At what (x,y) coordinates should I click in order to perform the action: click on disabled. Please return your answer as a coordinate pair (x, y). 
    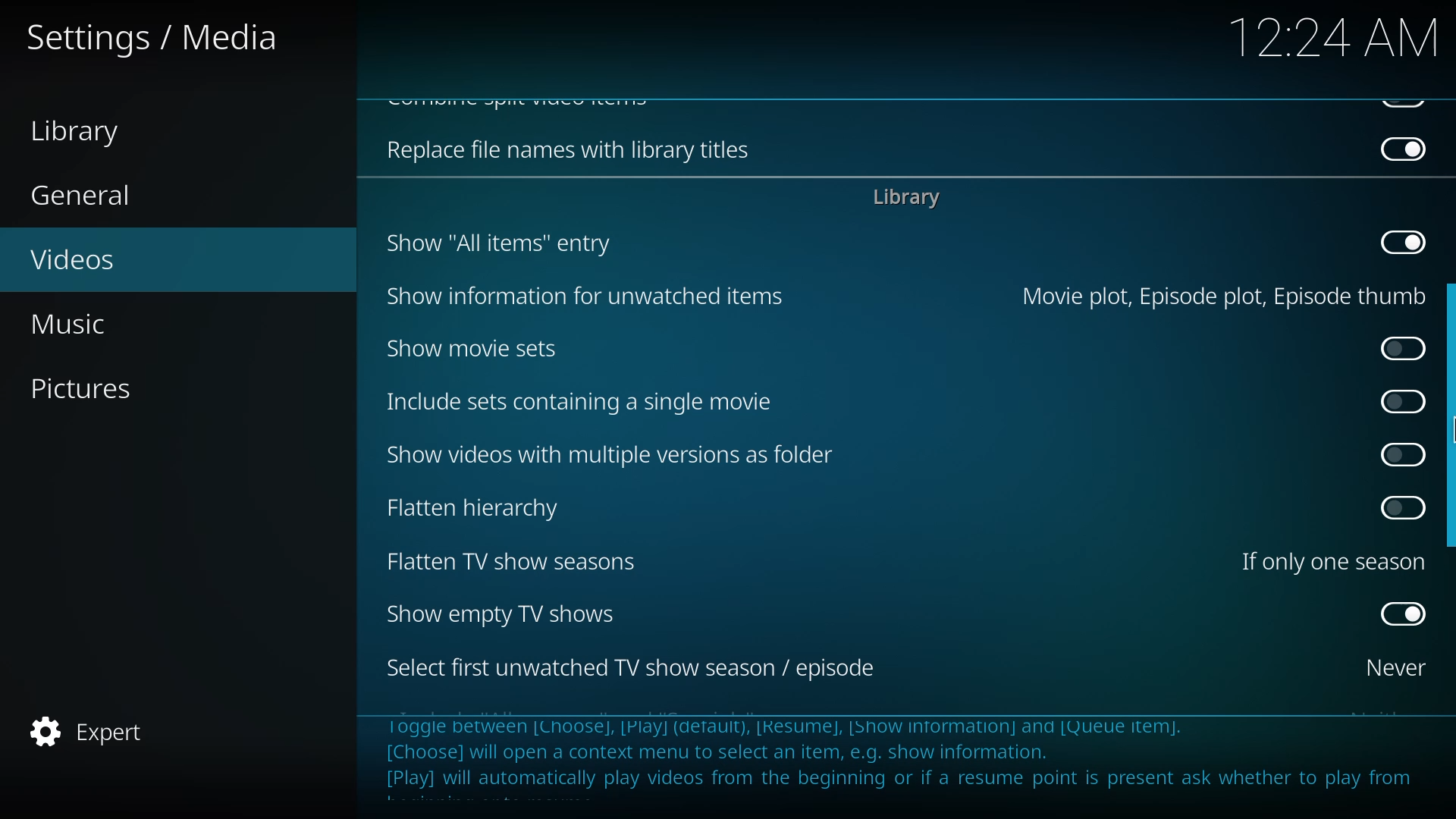
    Looking at the image, I should click on (1404, 241).